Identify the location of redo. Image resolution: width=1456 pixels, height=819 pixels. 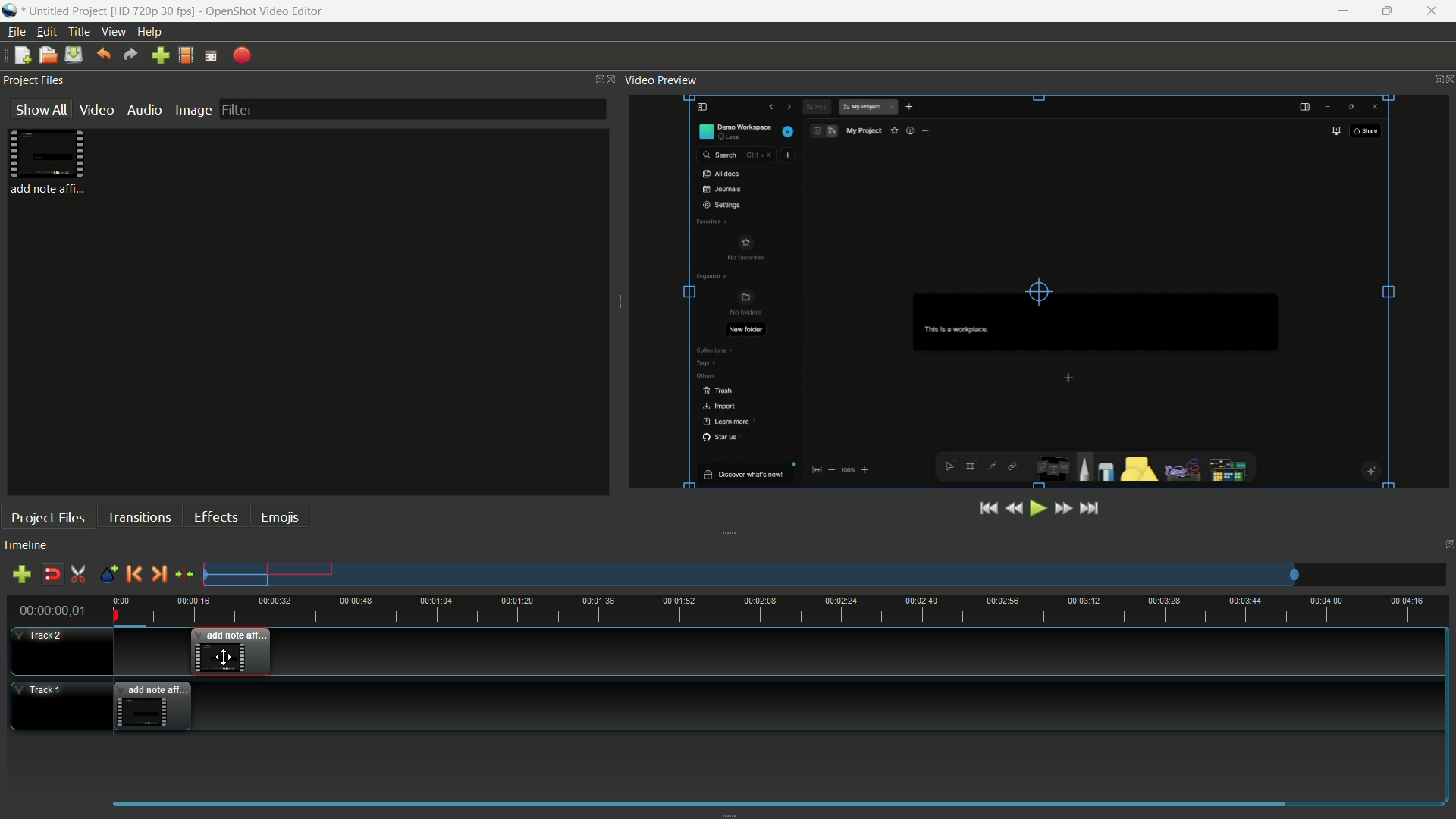
(130, 55).